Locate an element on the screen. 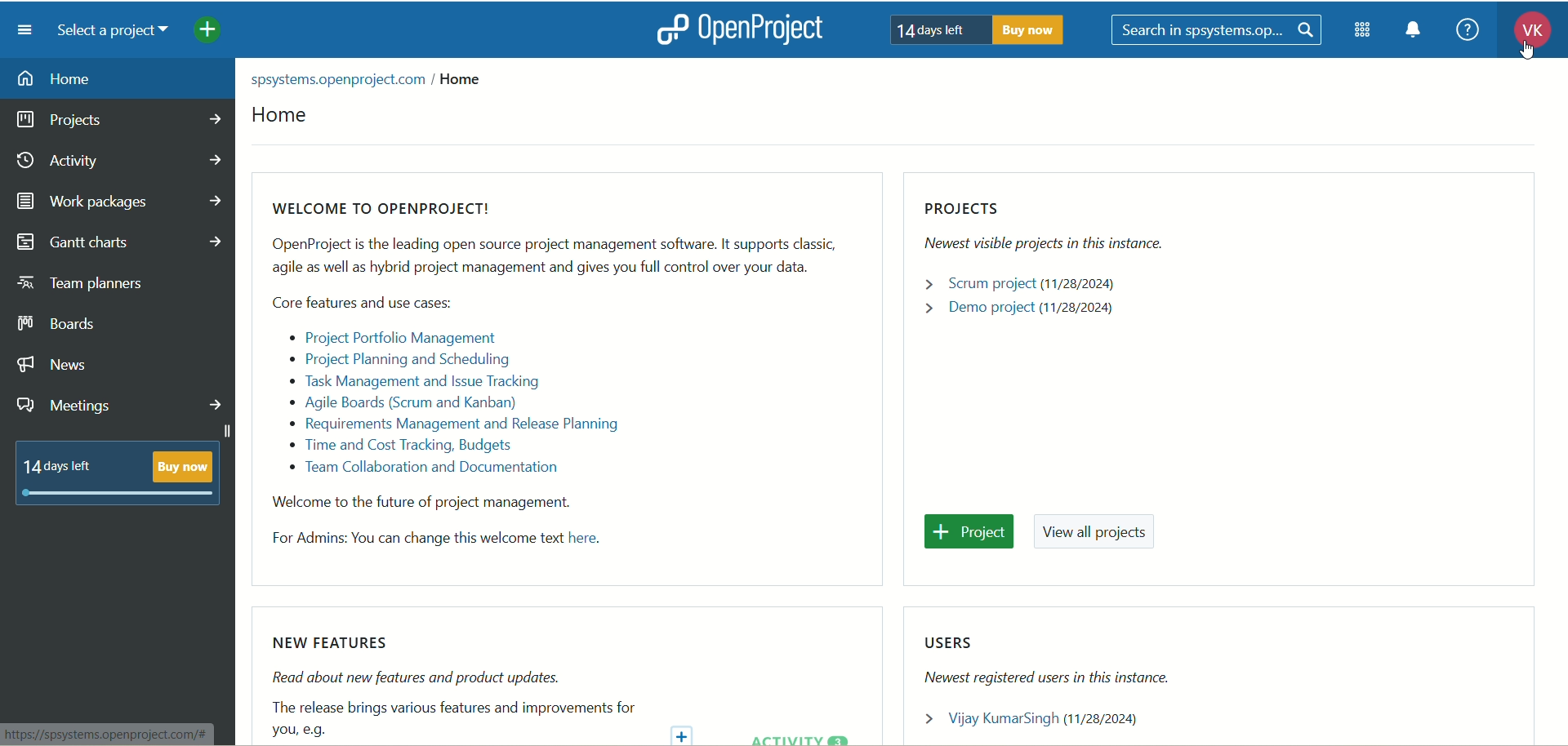  menu is located at coordinates (25, 30).